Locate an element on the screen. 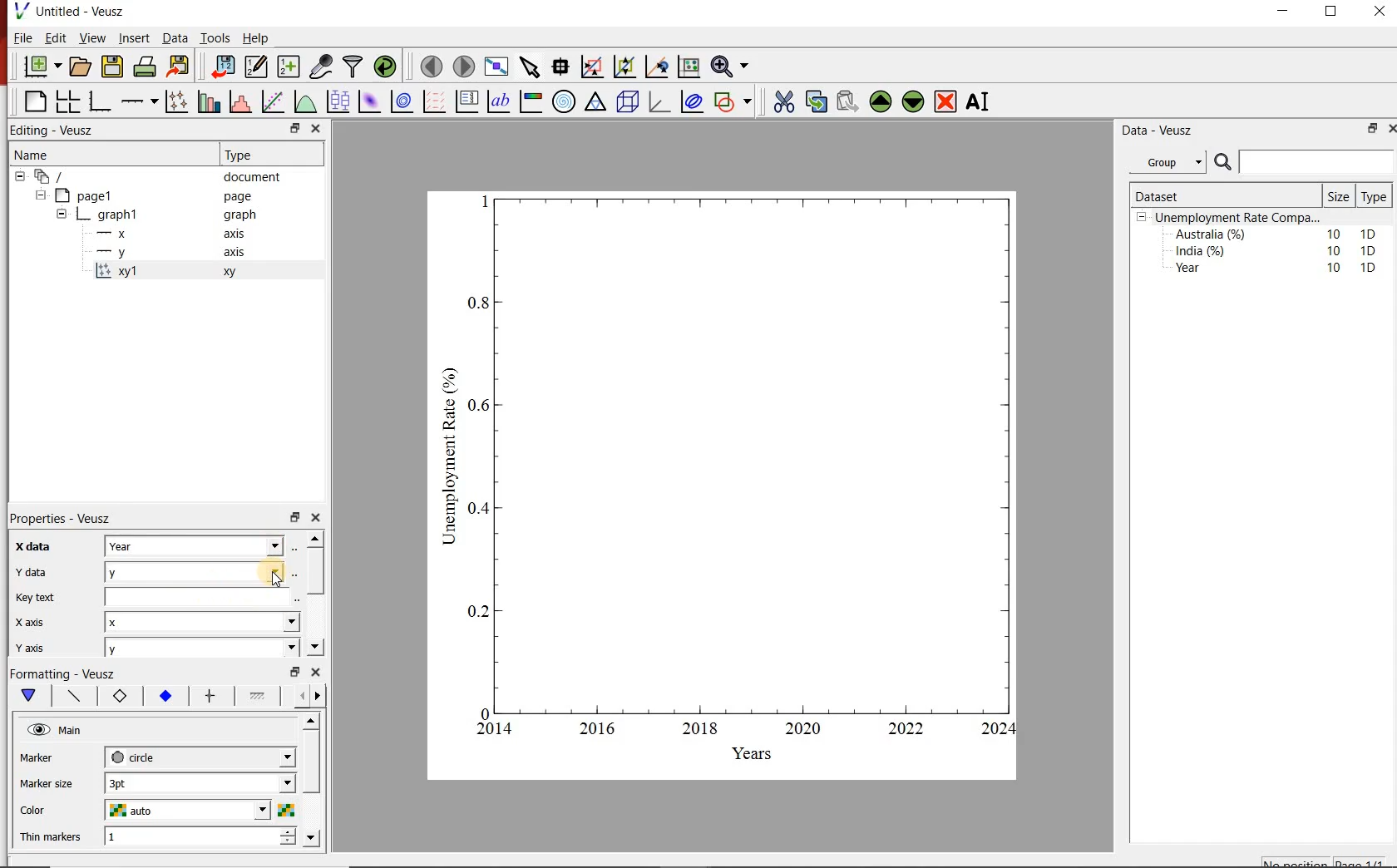 This screenshot has height=868, width=1397. line 1 is located at coordinates (258, 694).